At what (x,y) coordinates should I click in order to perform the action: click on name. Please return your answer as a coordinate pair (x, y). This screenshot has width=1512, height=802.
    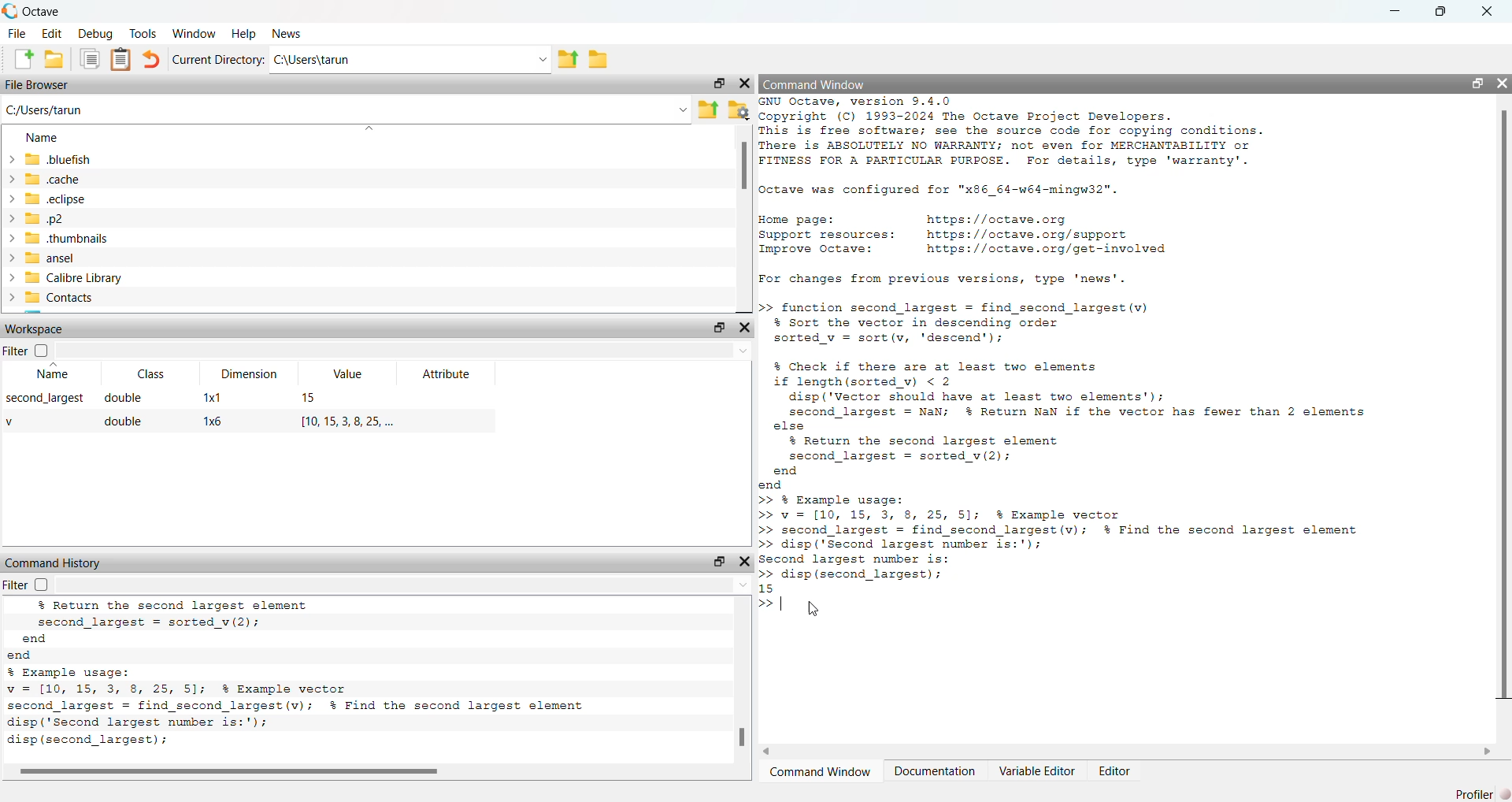
    Looking at the image, I should click on (39, 136).